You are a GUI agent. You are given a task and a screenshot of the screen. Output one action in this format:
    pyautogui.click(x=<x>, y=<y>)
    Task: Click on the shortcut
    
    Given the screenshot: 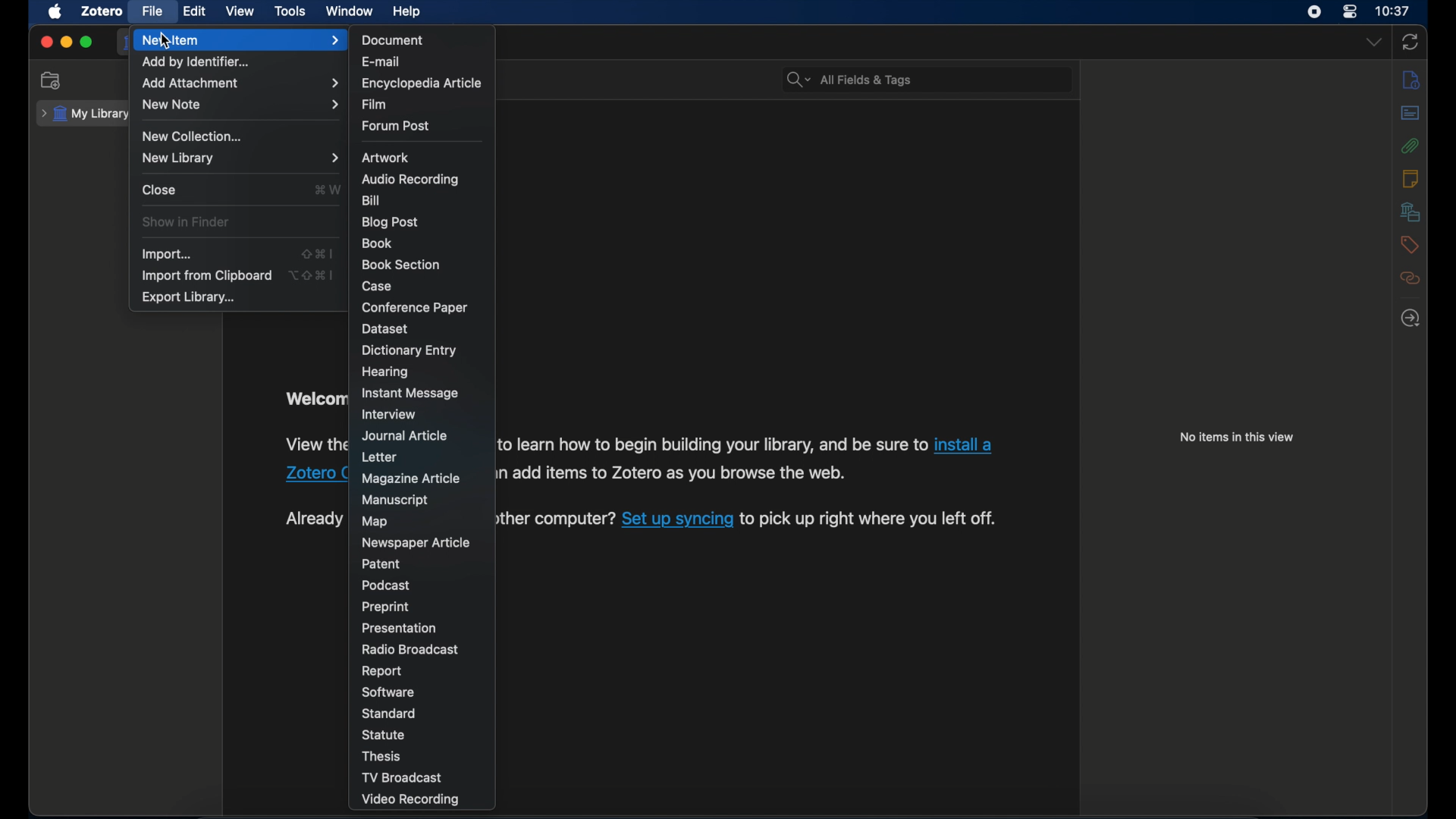 What is the action you would take?
    pyautogui.click(x=318, y=253)
    